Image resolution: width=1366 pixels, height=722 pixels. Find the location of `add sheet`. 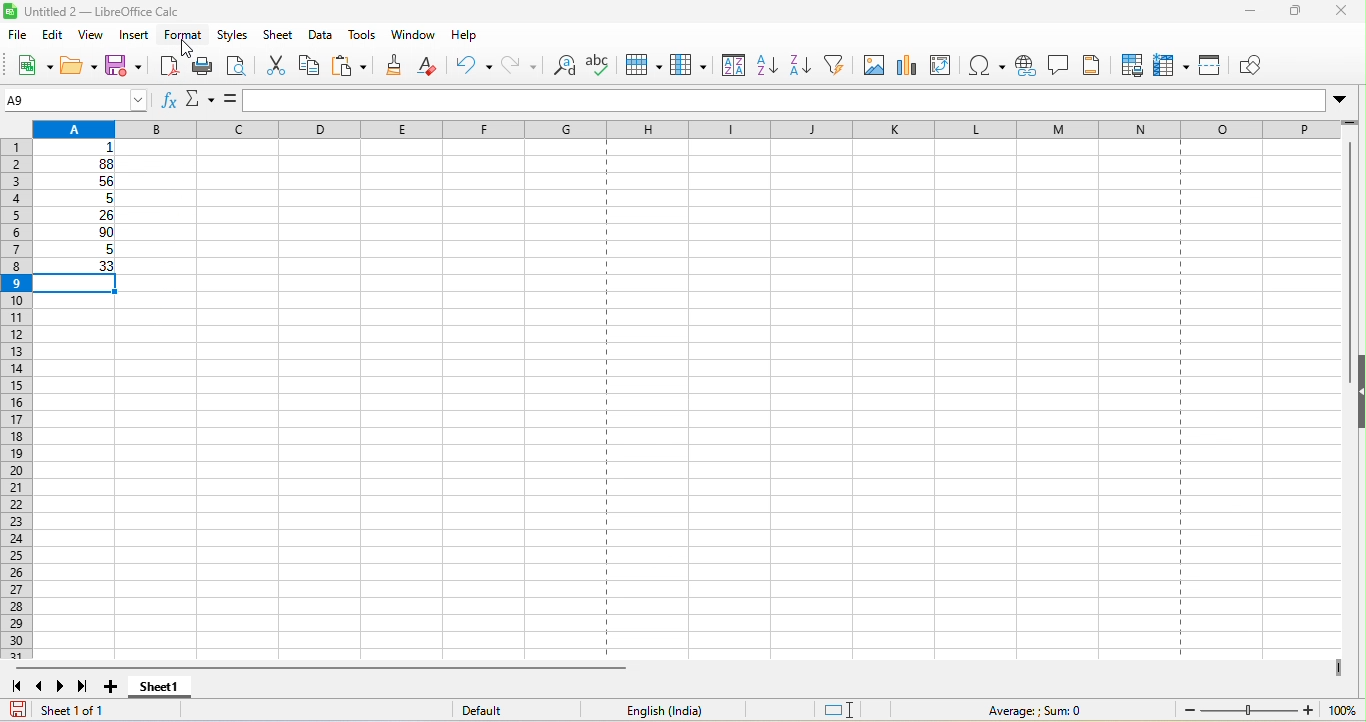

add sheet is located at coordinates (113, 687).